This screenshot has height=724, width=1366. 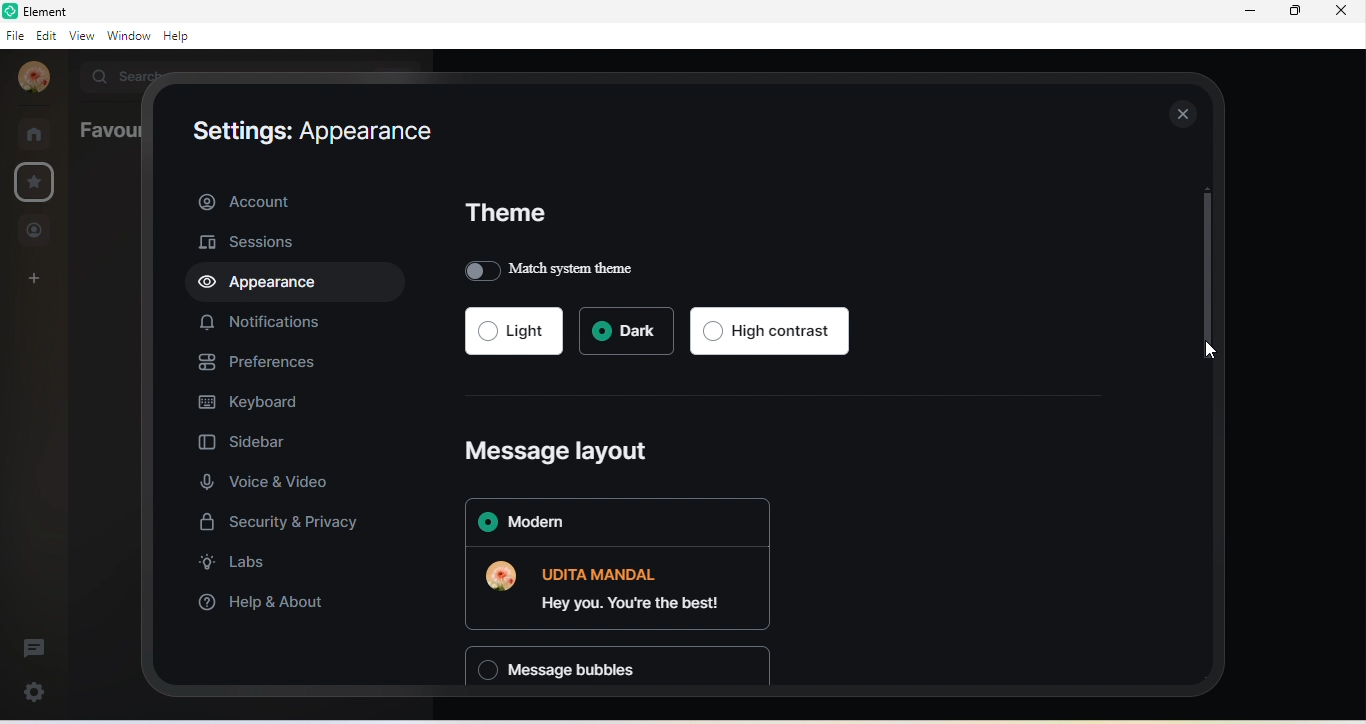 What do you see at coordinates (14, 36) in the screenshot?
I see `file` at bounding box center [14, 36].